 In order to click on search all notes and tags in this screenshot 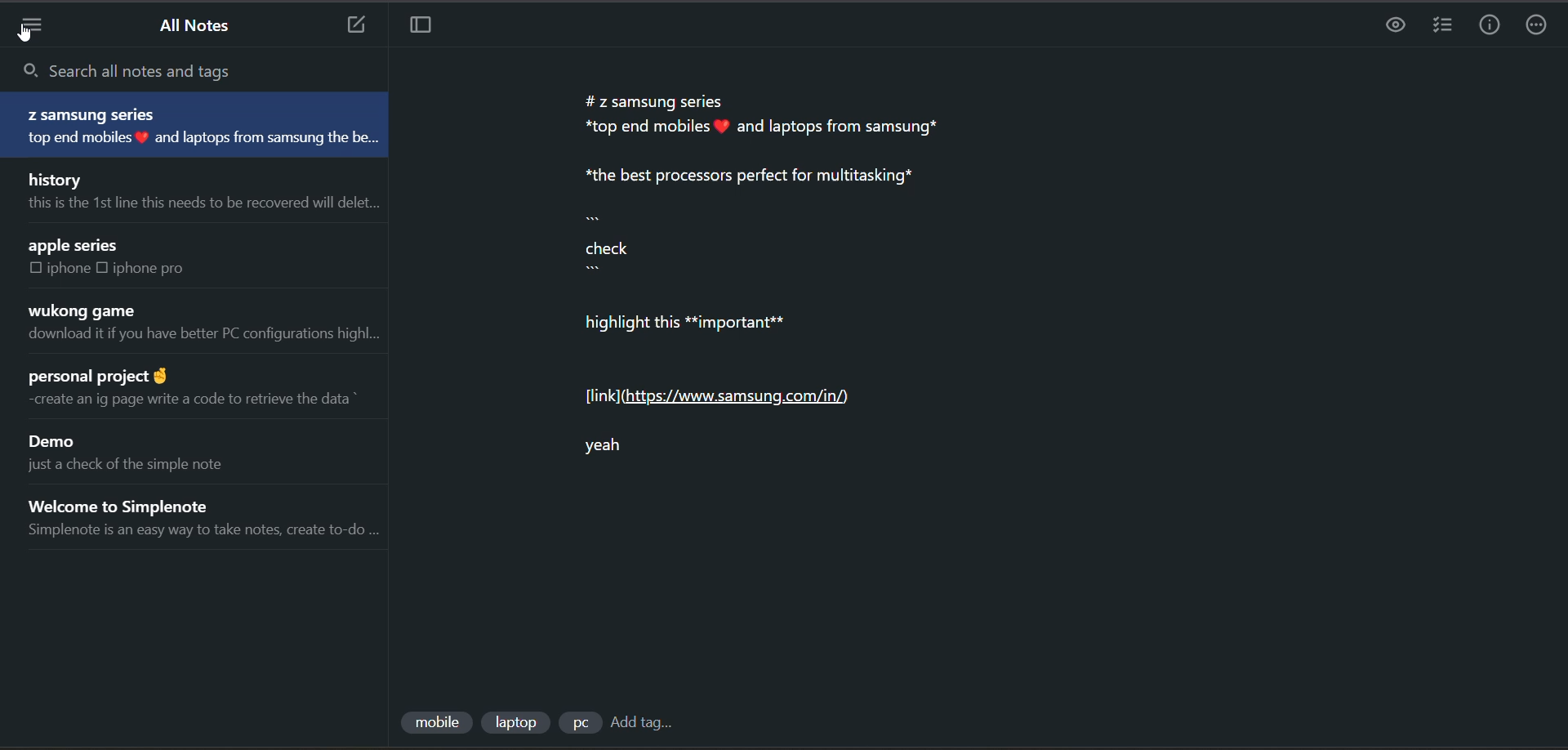, I will do `click(155, 70)`.